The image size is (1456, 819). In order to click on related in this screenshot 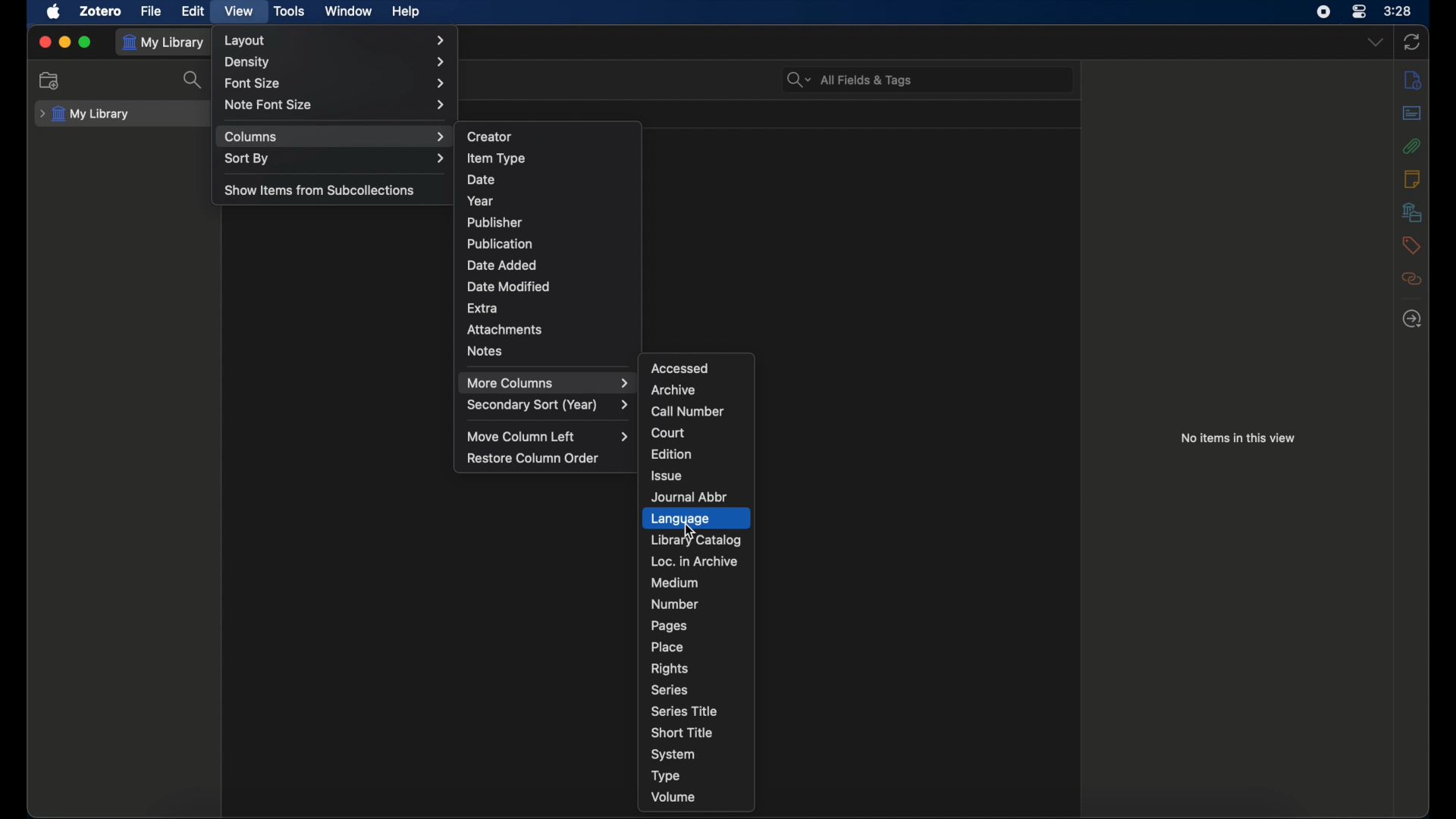, I will do `click(1412, 278)`.